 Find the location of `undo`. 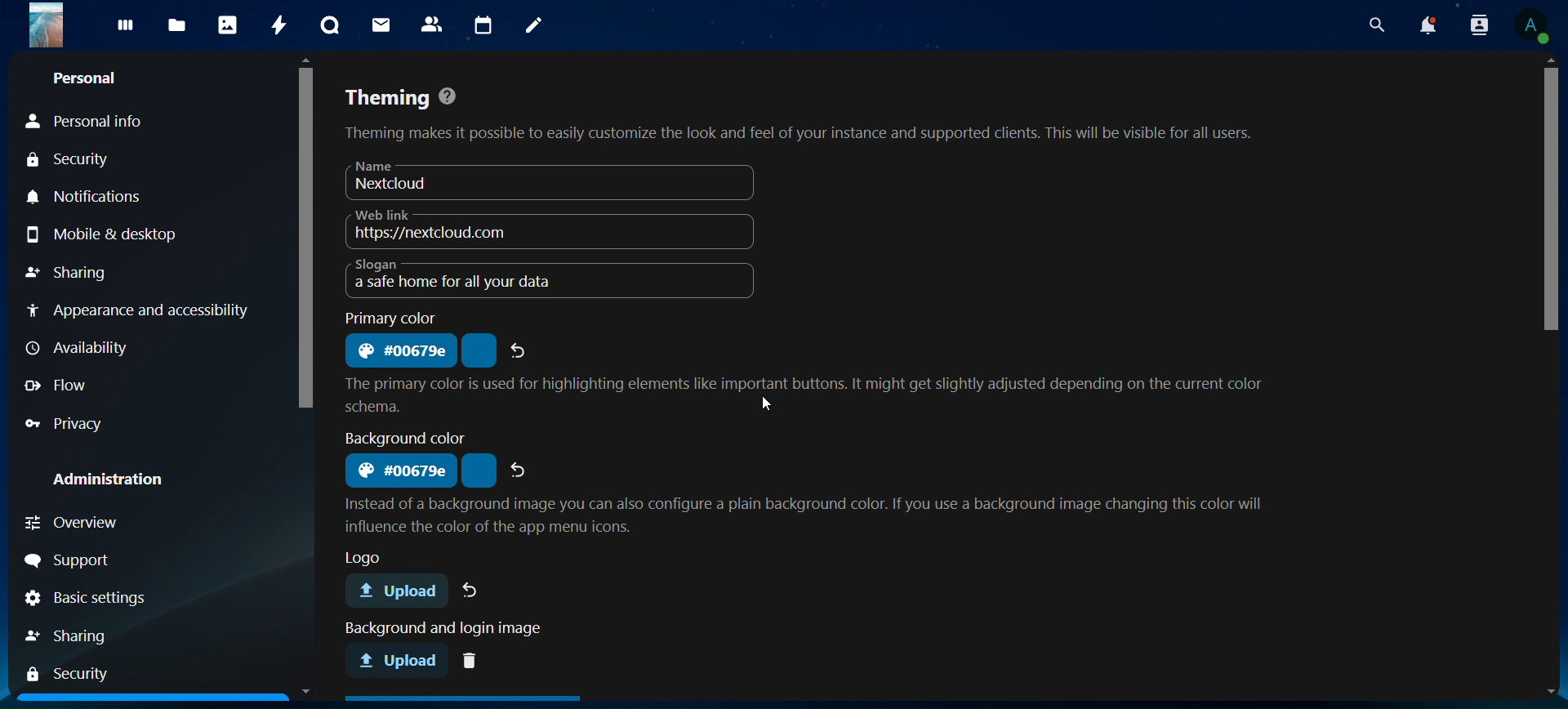

undo is located at coordinates (473, 590).